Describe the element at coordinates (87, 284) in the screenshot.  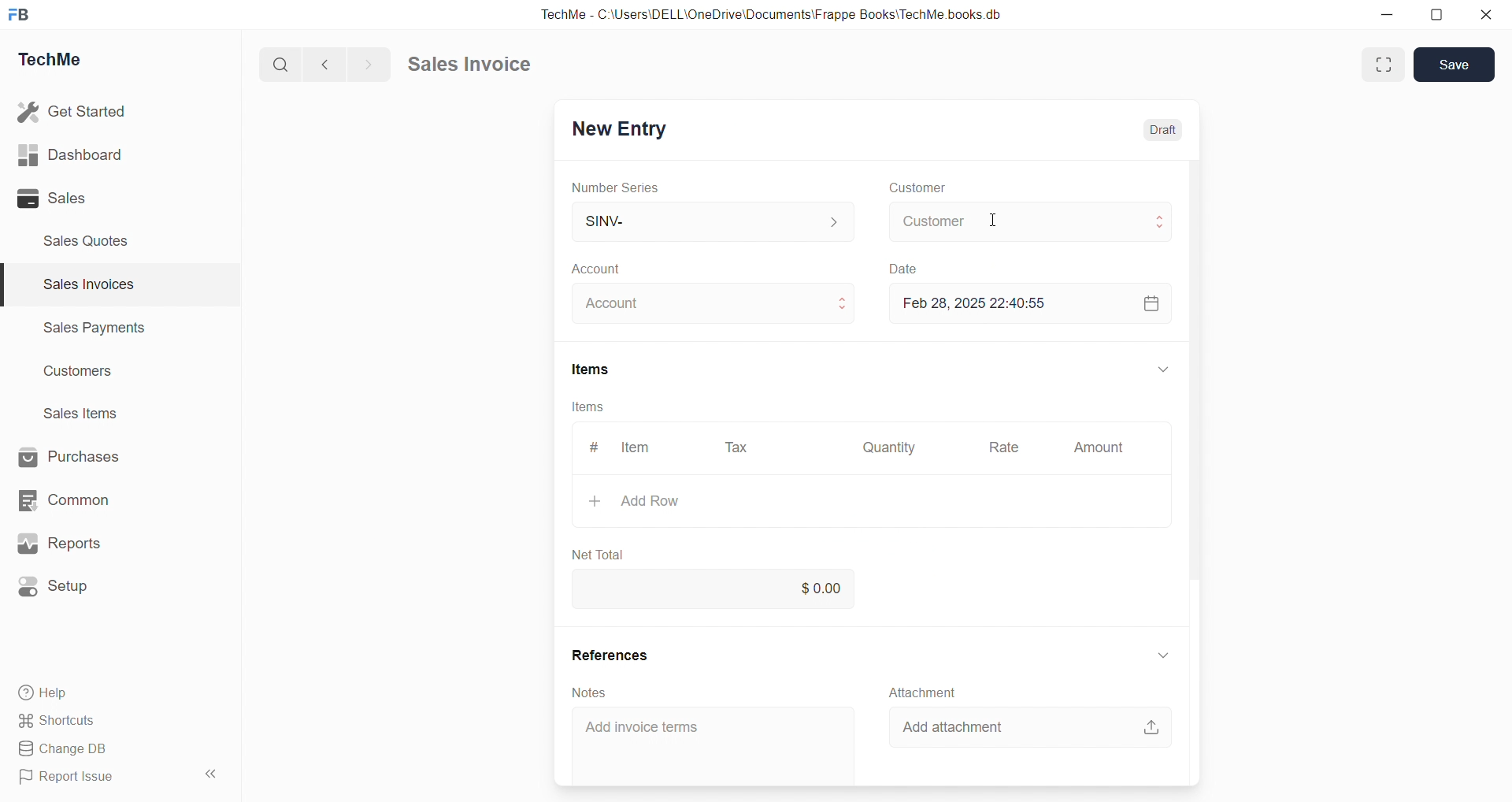
I see `Sales invoices` at that location.